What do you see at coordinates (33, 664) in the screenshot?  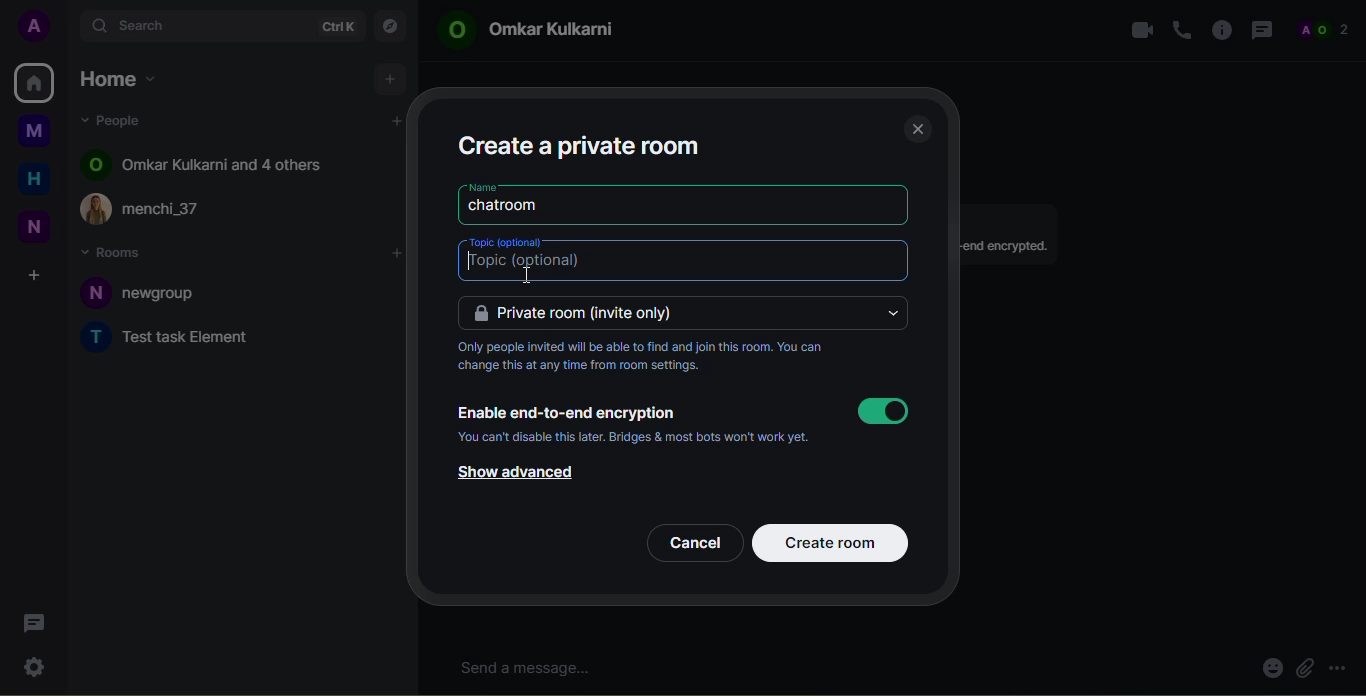 I see `quick settings` at bounding box center [33, 664].